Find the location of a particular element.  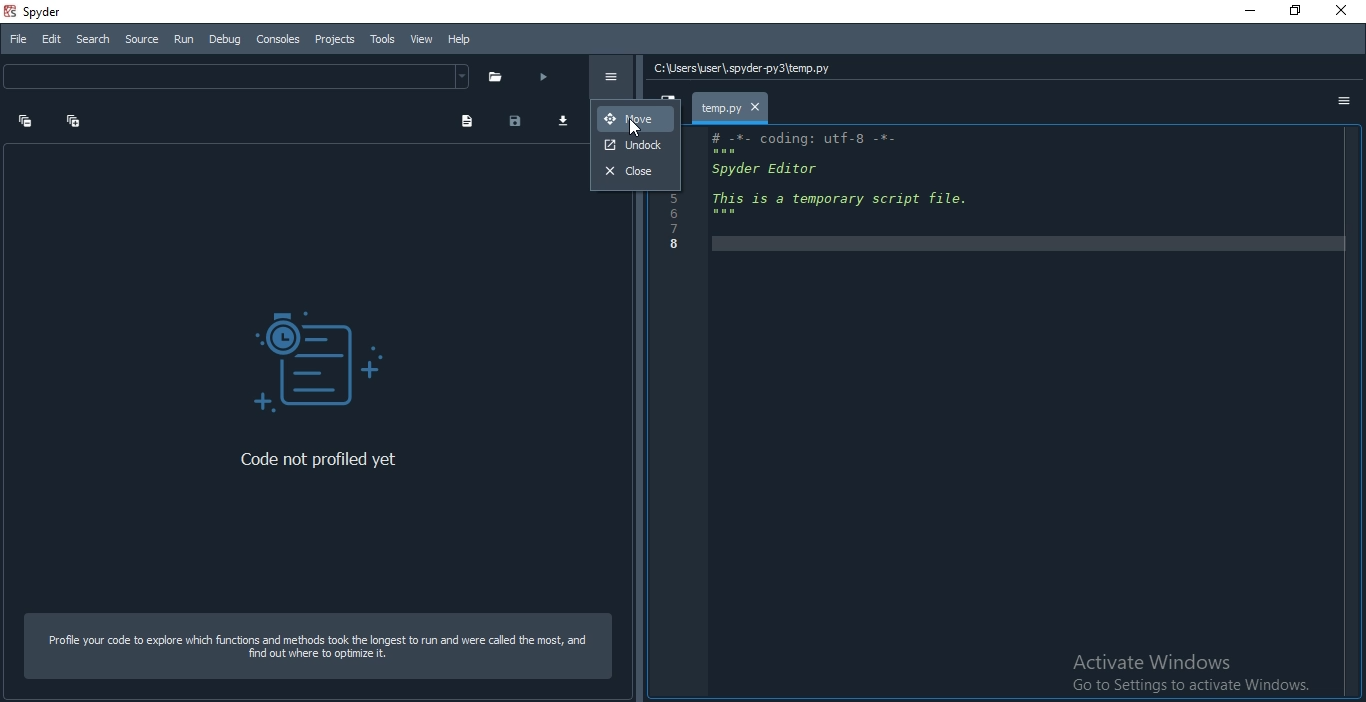

Tools is located at coordinates (381, 39).